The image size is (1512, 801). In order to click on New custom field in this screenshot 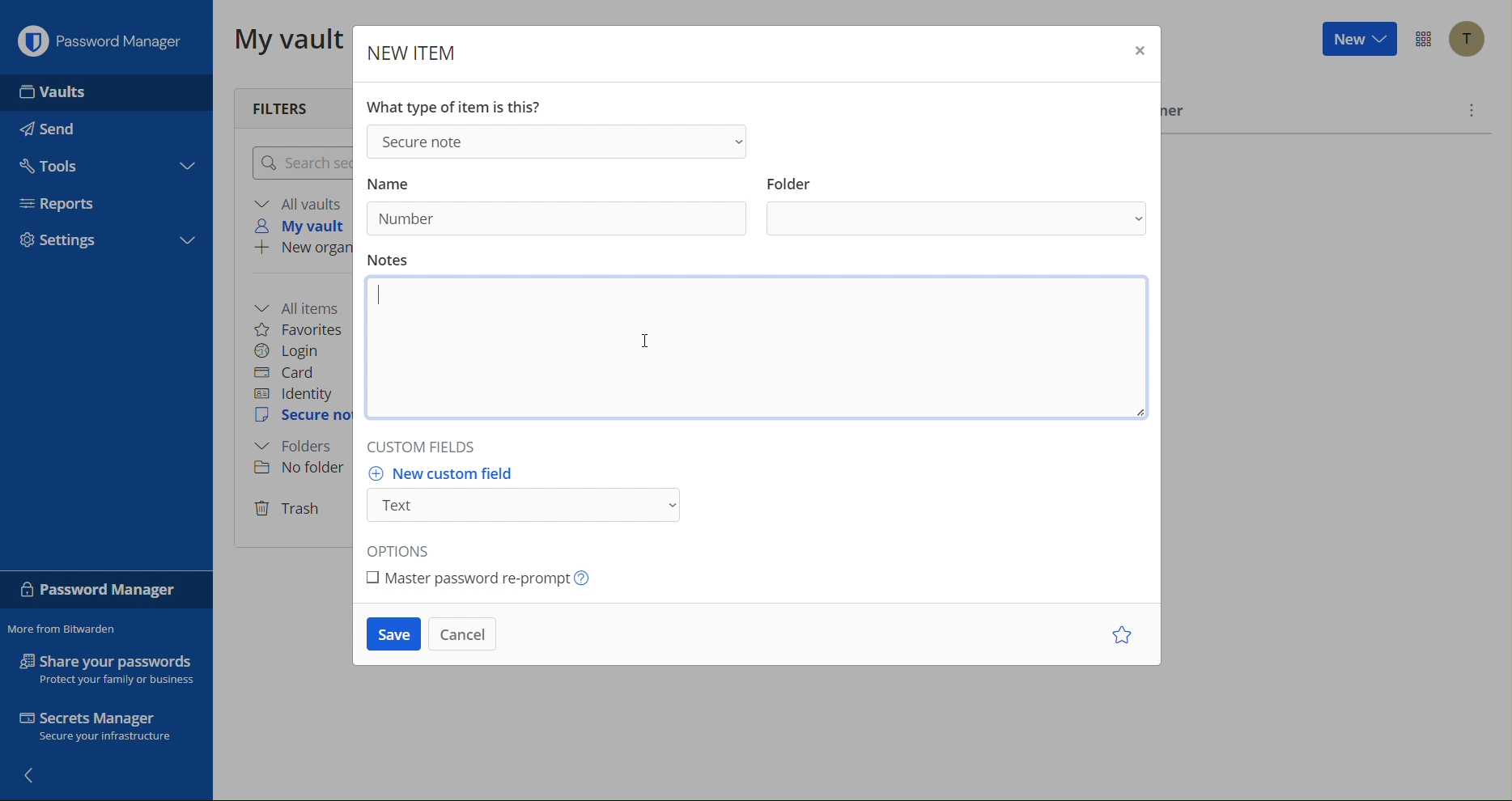, I will do `click(525, 495)`.